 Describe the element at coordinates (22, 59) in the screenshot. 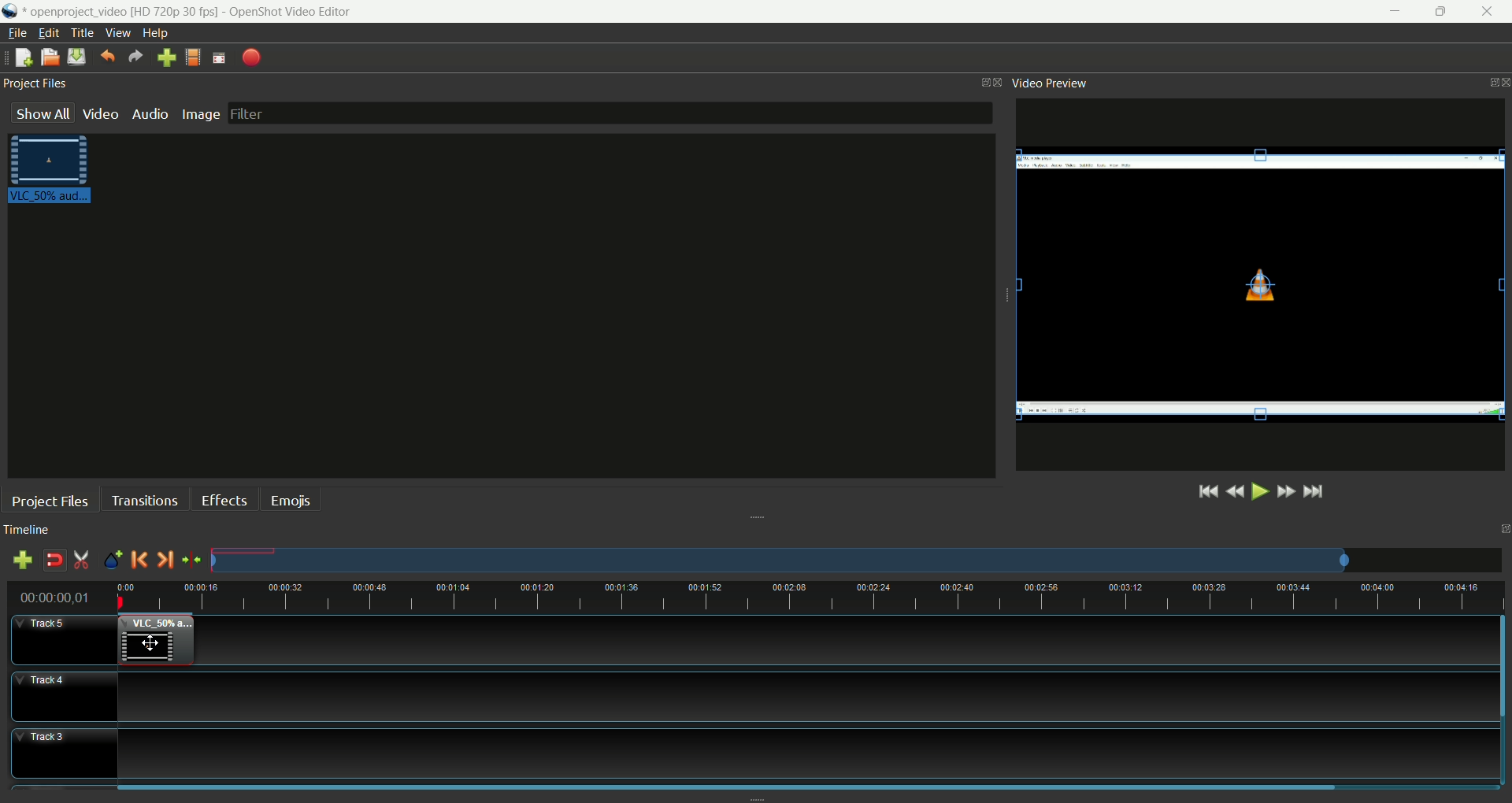

I see `new project` at that location.